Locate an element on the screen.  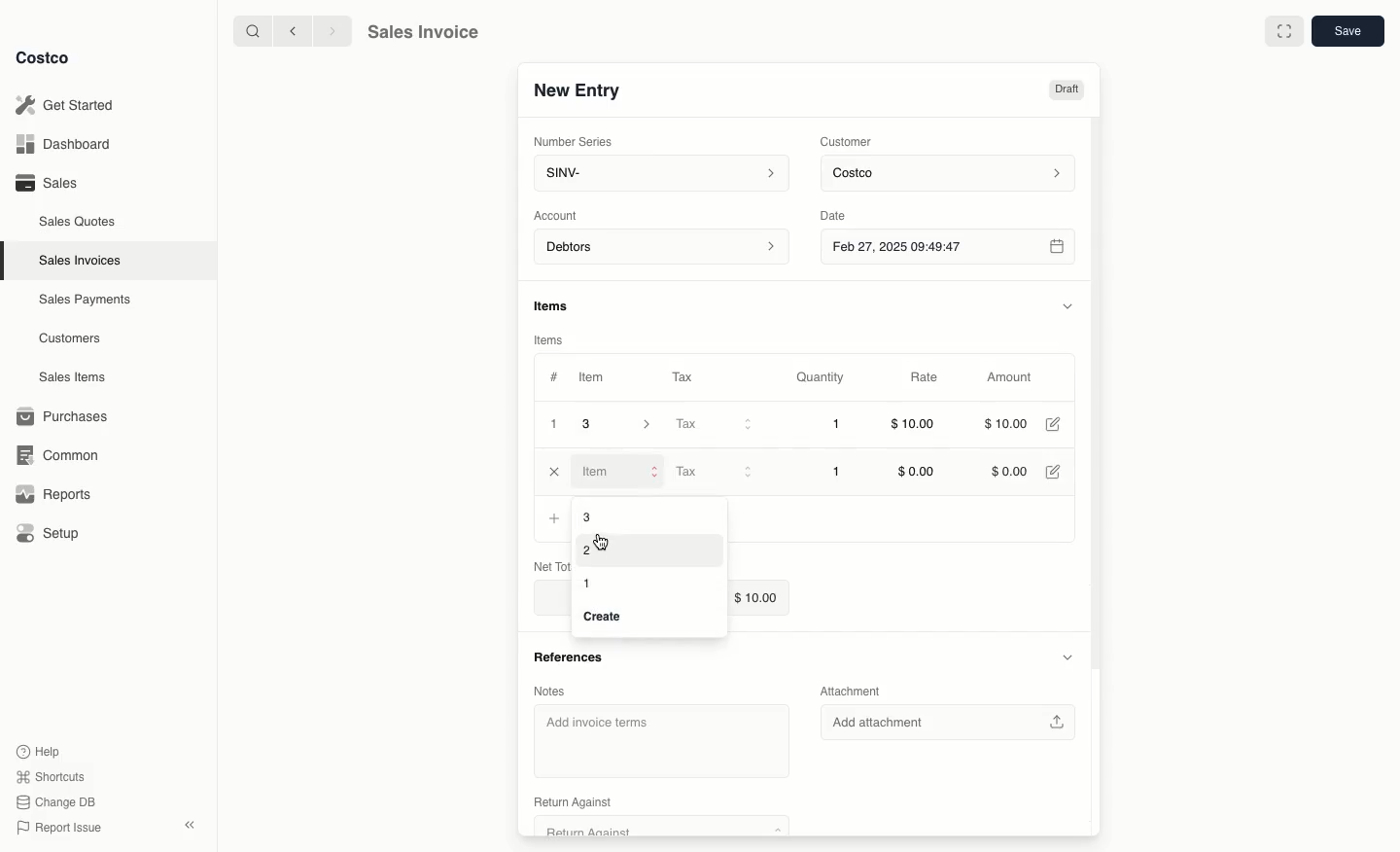
Costco is located at coordinates (951, 174).